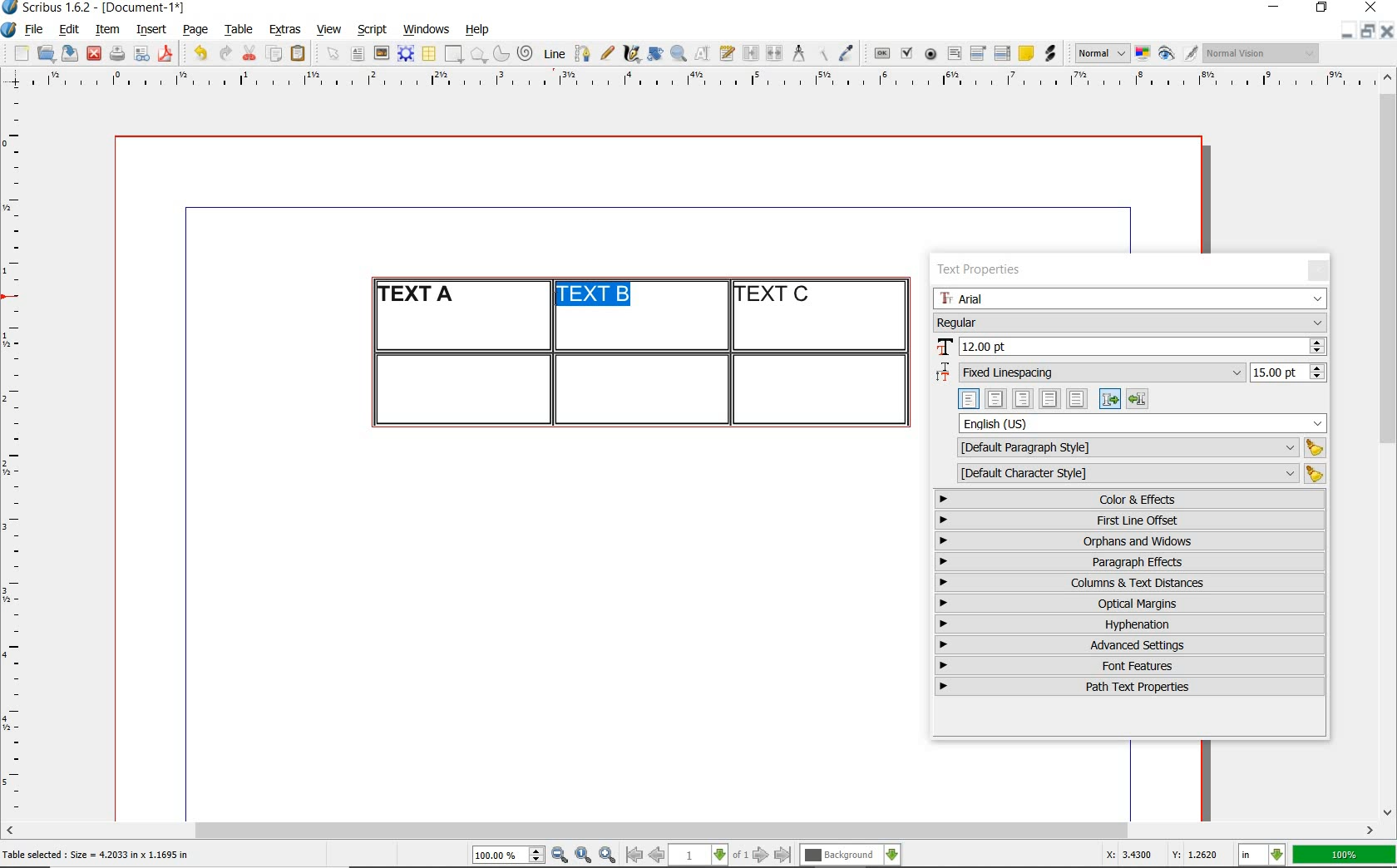 This screenshot has height=868, width=1397. I want to click on restore, so click(1322, 8).